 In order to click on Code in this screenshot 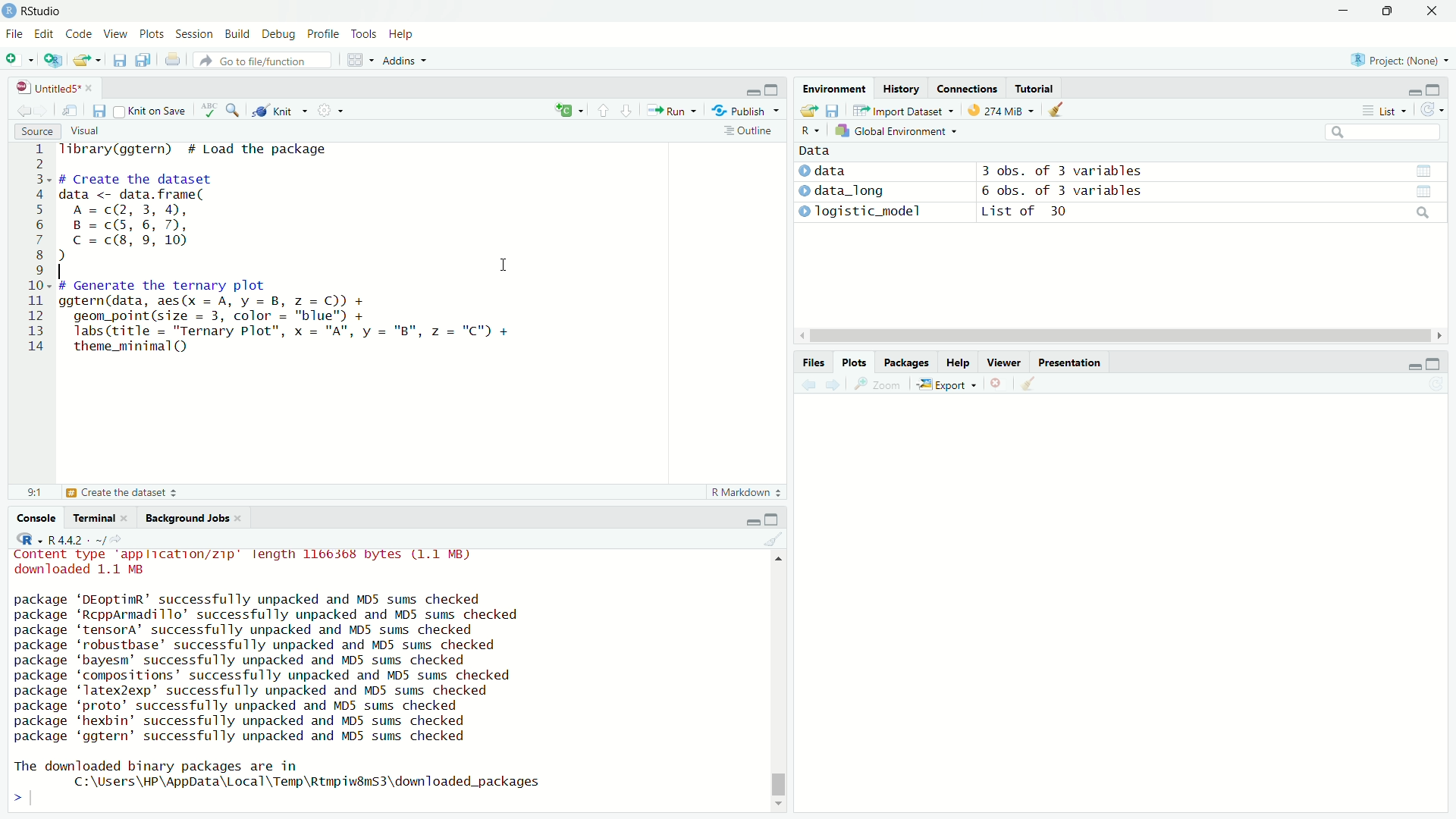, I will do `click(76, 34)`.